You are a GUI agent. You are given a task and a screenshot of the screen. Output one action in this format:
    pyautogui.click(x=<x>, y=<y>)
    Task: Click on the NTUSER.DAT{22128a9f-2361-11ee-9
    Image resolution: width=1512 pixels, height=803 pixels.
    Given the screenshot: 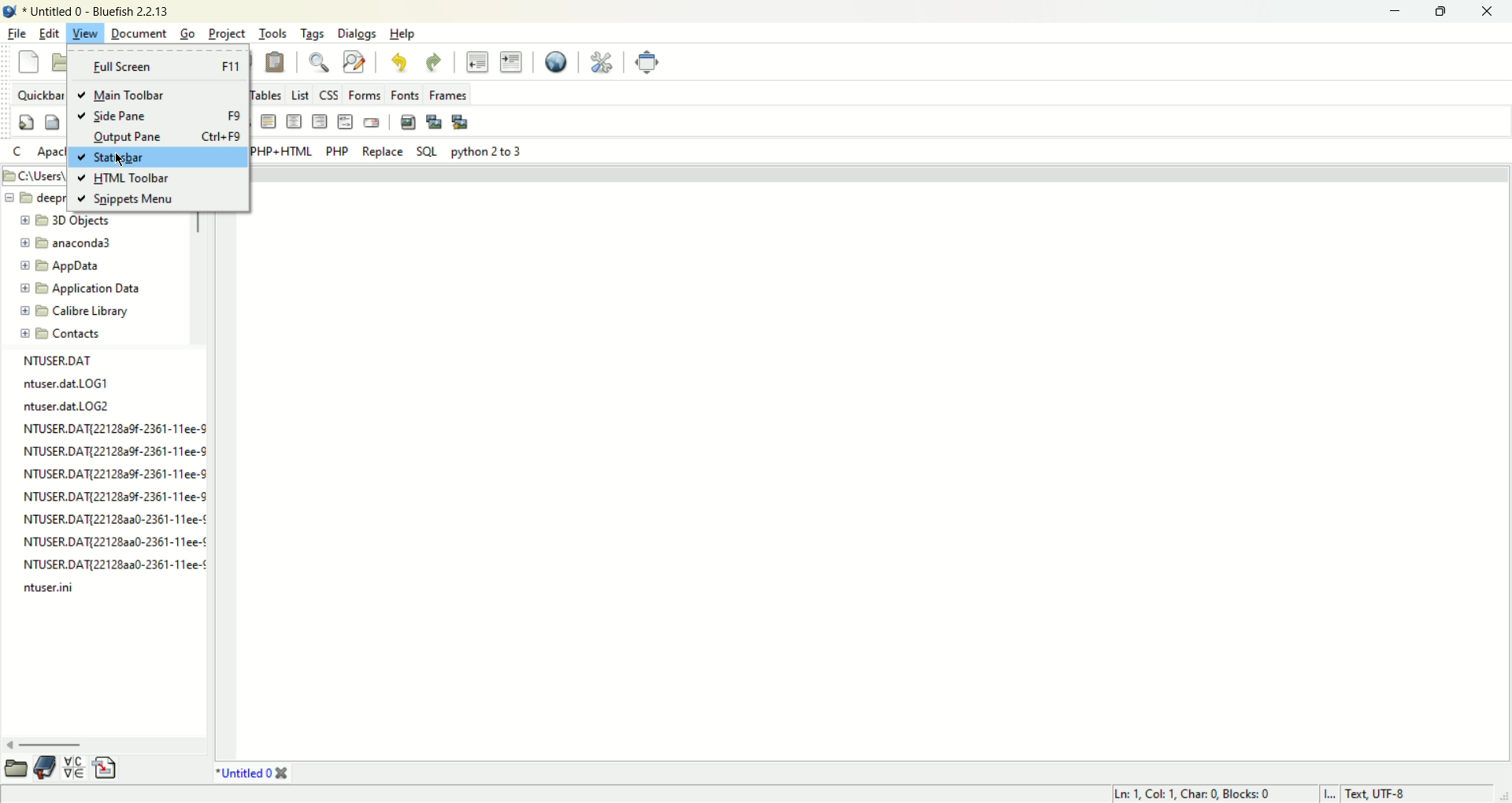 What is the action you would take?
    pyautogui.click(x=113, y=451)
    